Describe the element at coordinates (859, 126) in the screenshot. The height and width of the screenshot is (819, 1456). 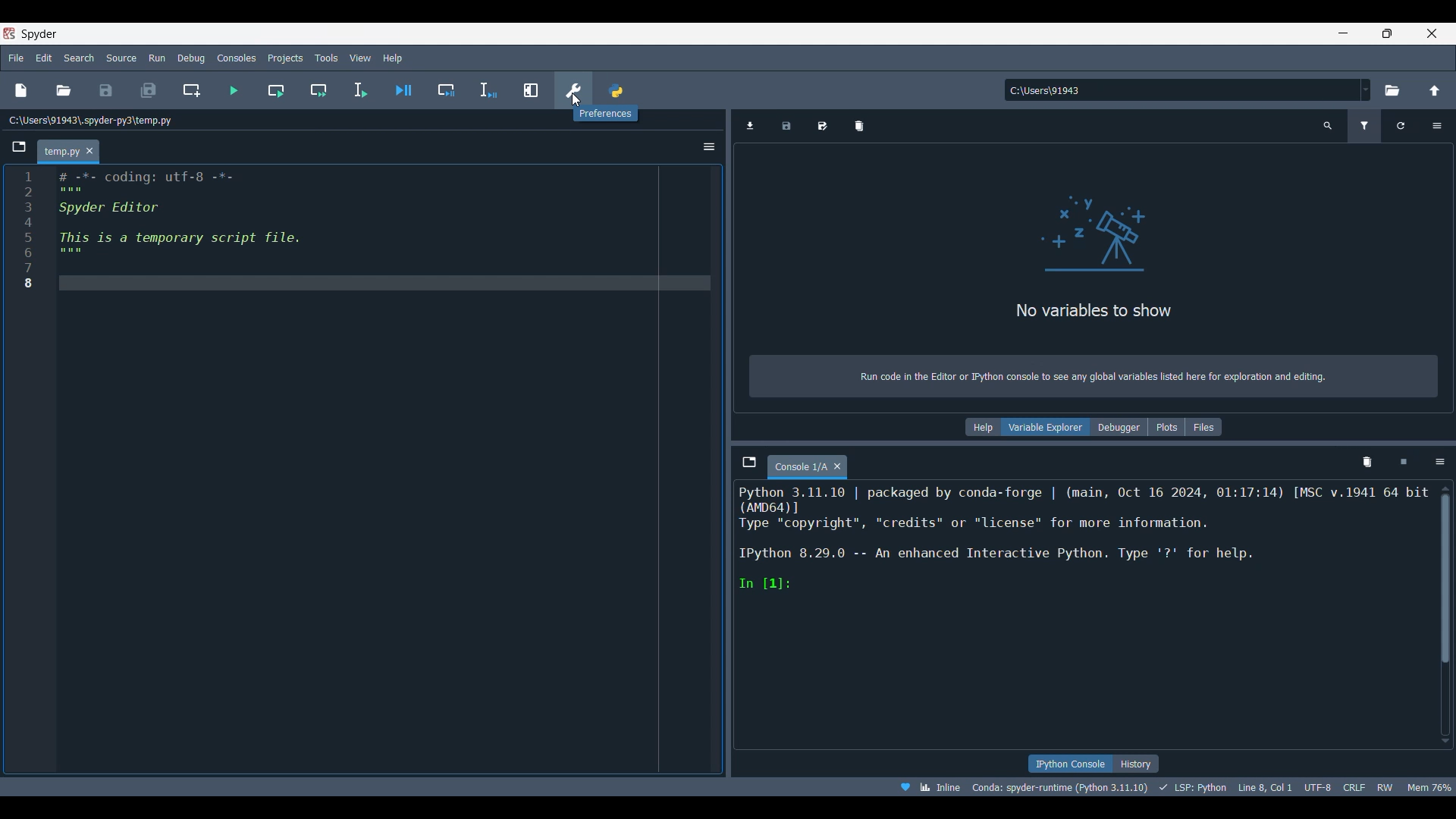
I see `Remove all variables` at that location.